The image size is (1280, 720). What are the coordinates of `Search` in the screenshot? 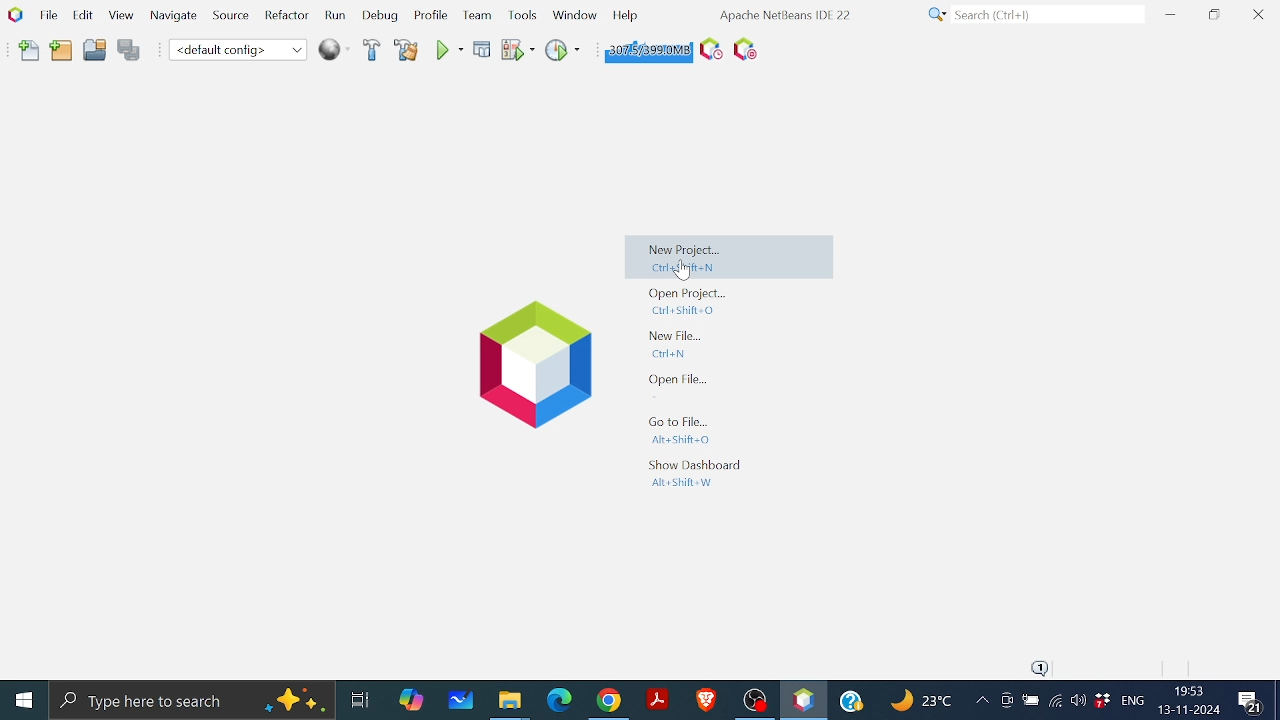 It's located at (1032, 15).